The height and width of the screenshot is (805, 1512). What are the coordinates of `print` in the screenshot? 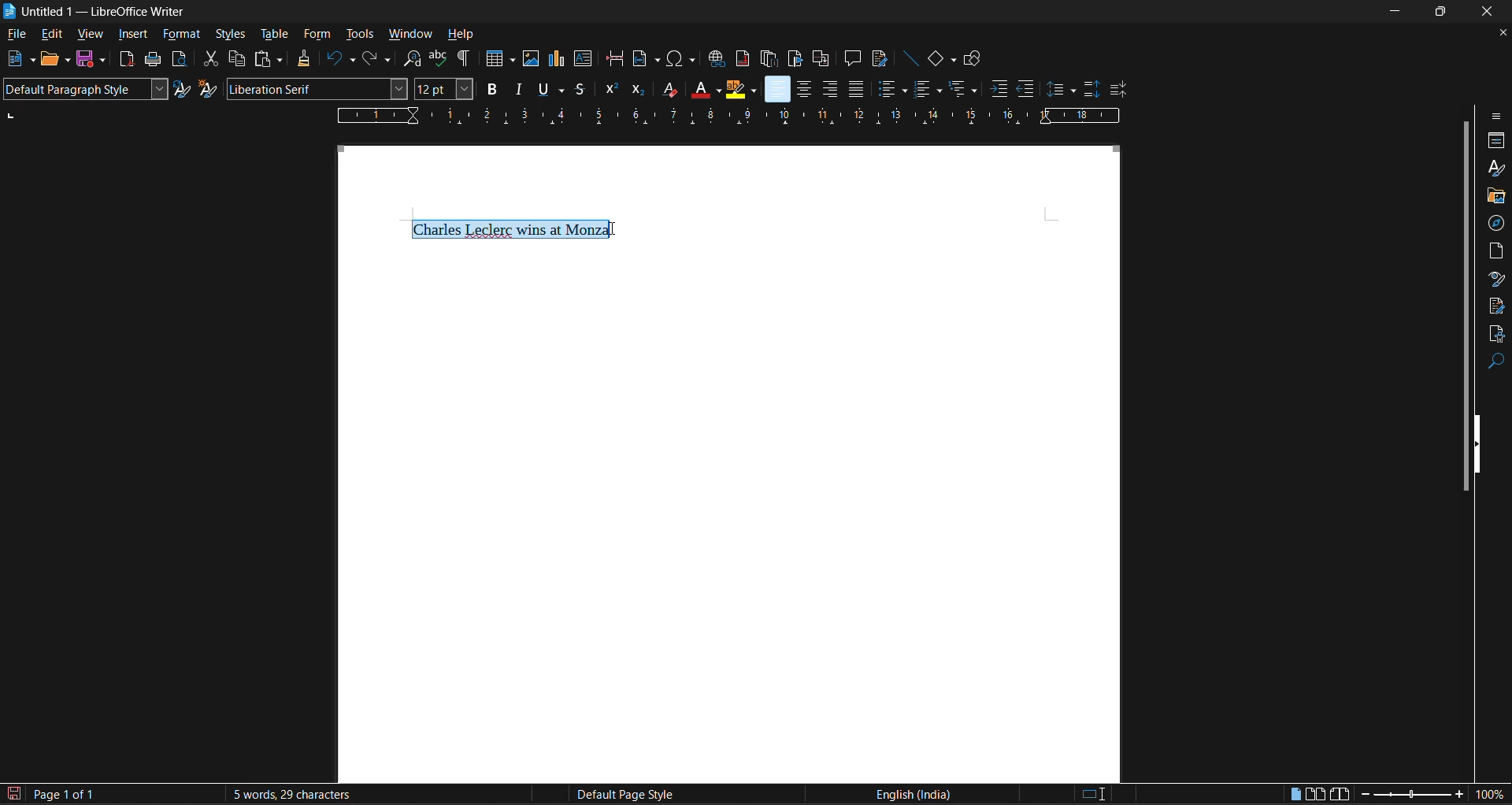 It's located at (151, 58).